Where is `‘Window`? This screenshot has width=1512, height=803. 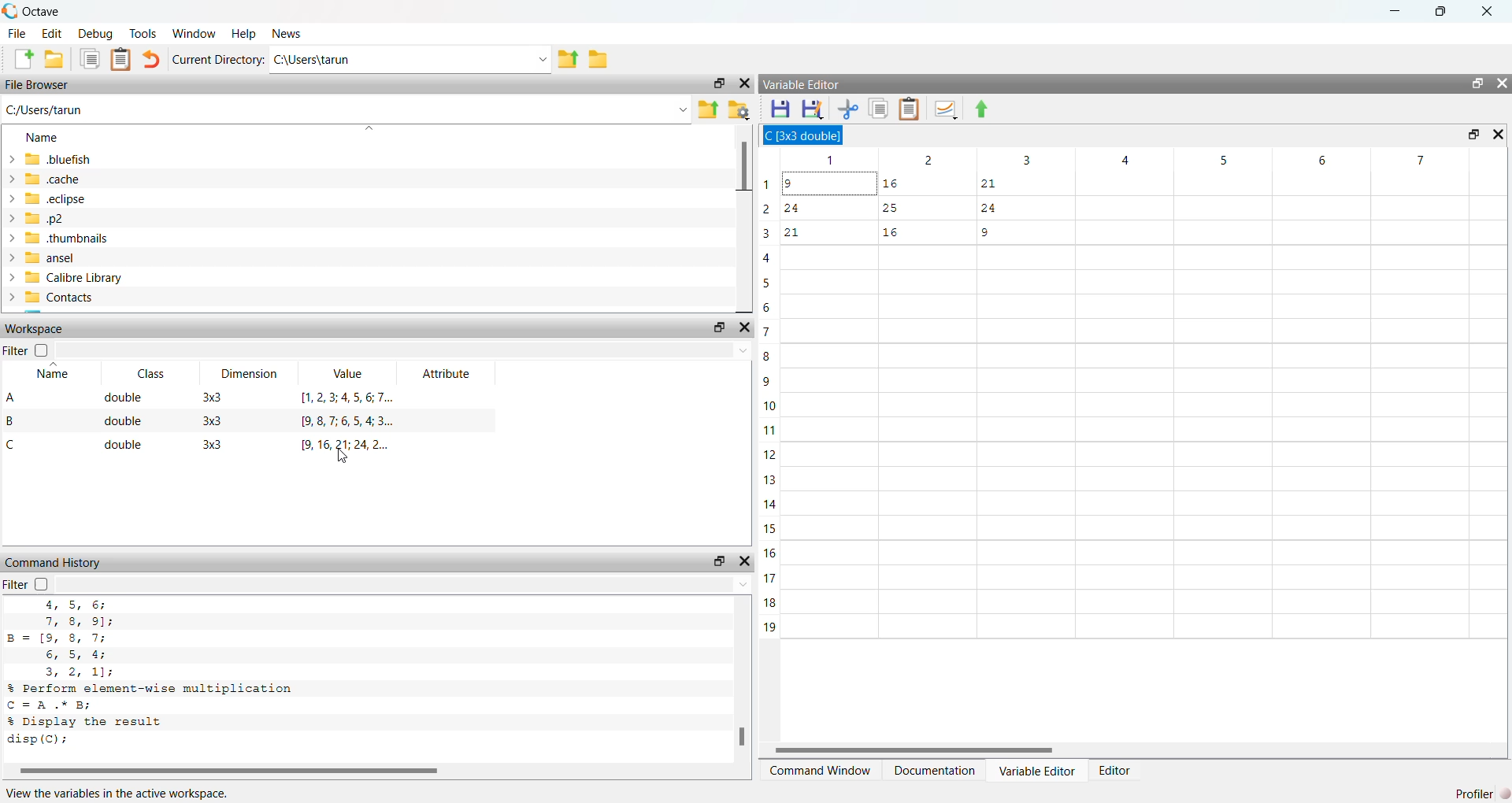
‘Window is located at coordinates (196, 33).